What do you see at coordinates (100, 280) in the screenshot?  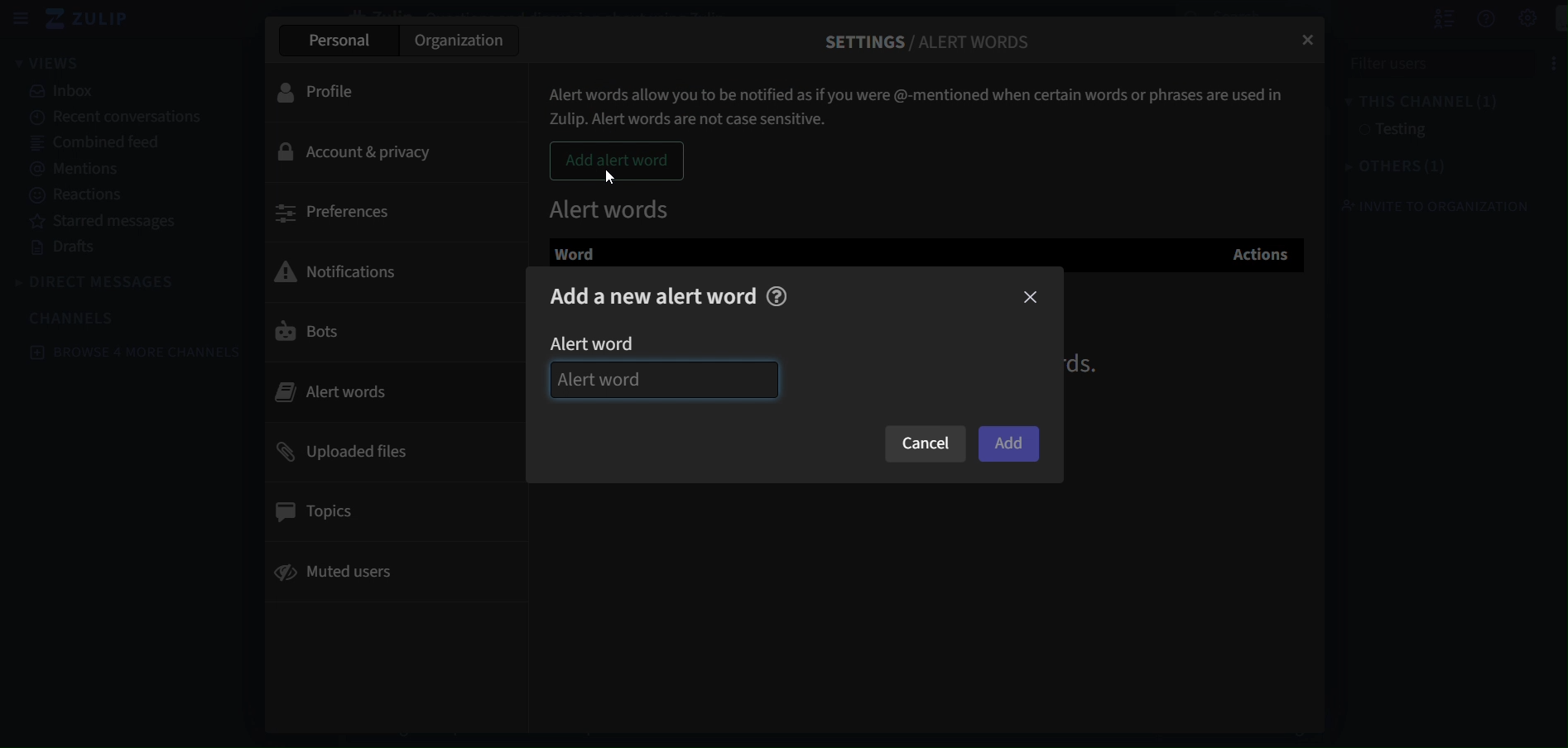 I see `direct messages` at bounding box center [100, 280].